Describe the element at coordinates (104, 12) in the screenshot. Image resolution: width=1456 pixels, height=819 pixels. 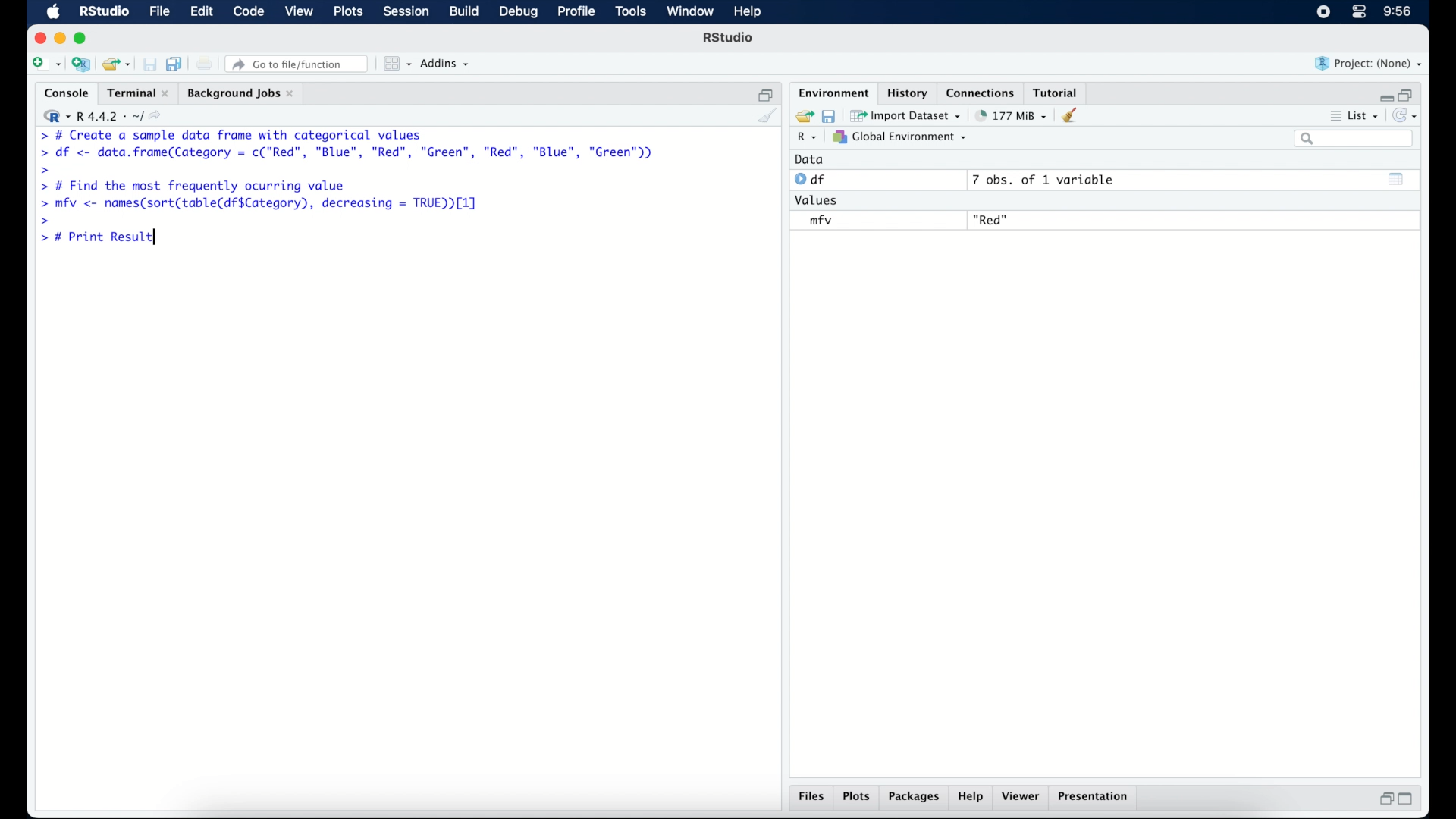
I see `R studio` at that location.